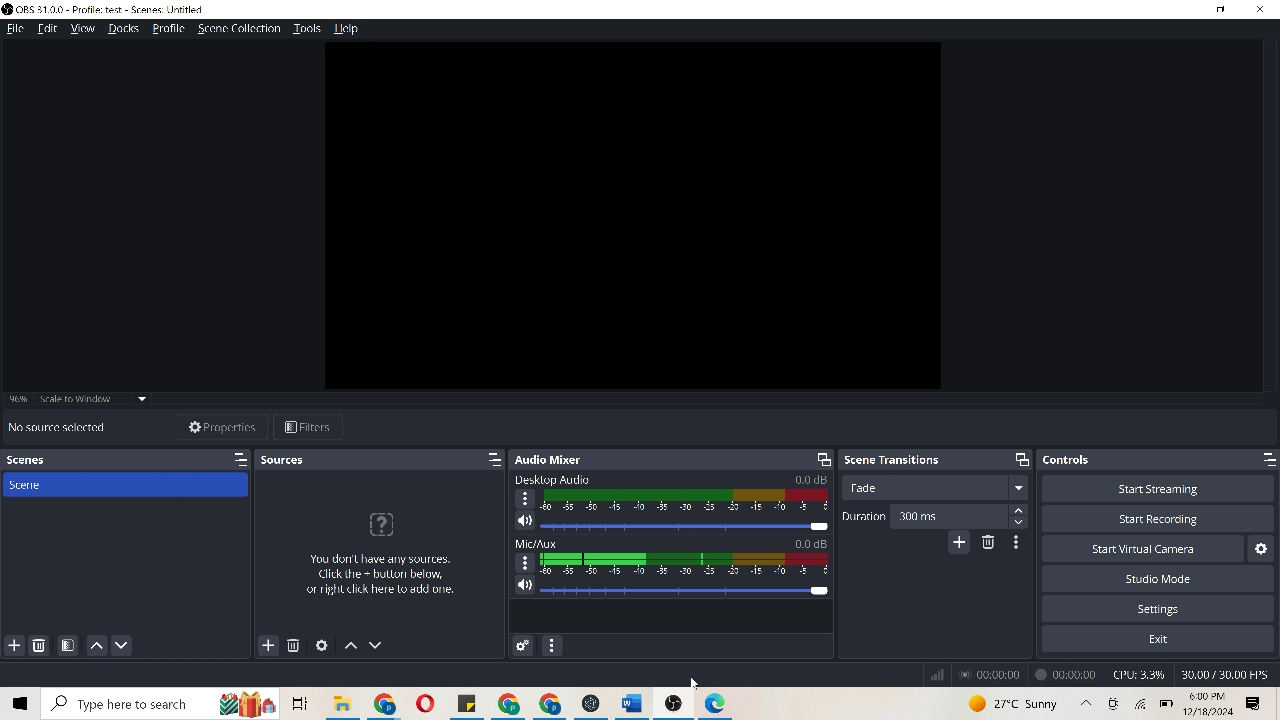 The image size is (1280, 720). Describe the element at coordinates (932, 489) in the screenshot. I see `trade` at that location.